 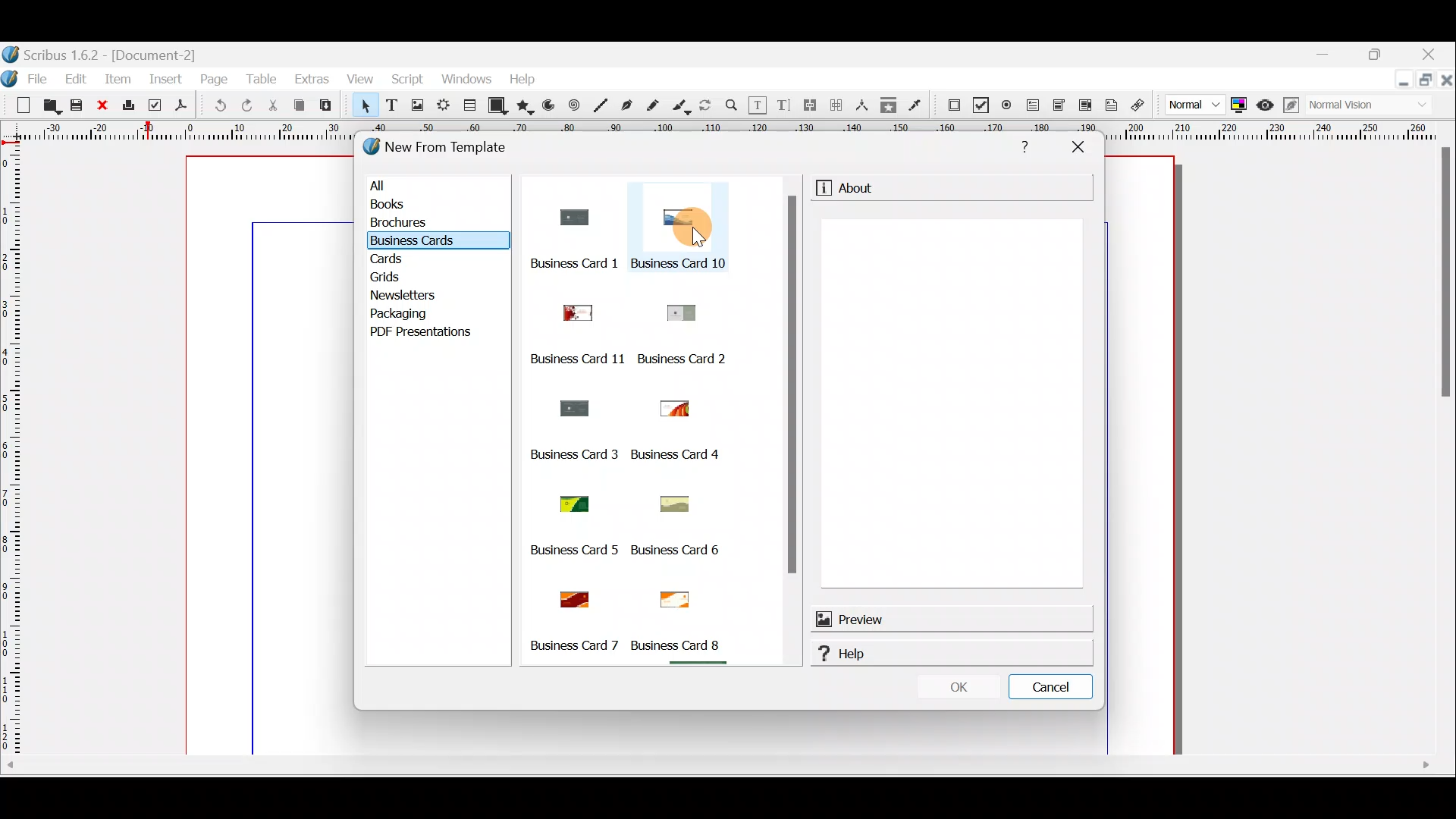 I want to click on Spiral, so click(x=574, y=105).